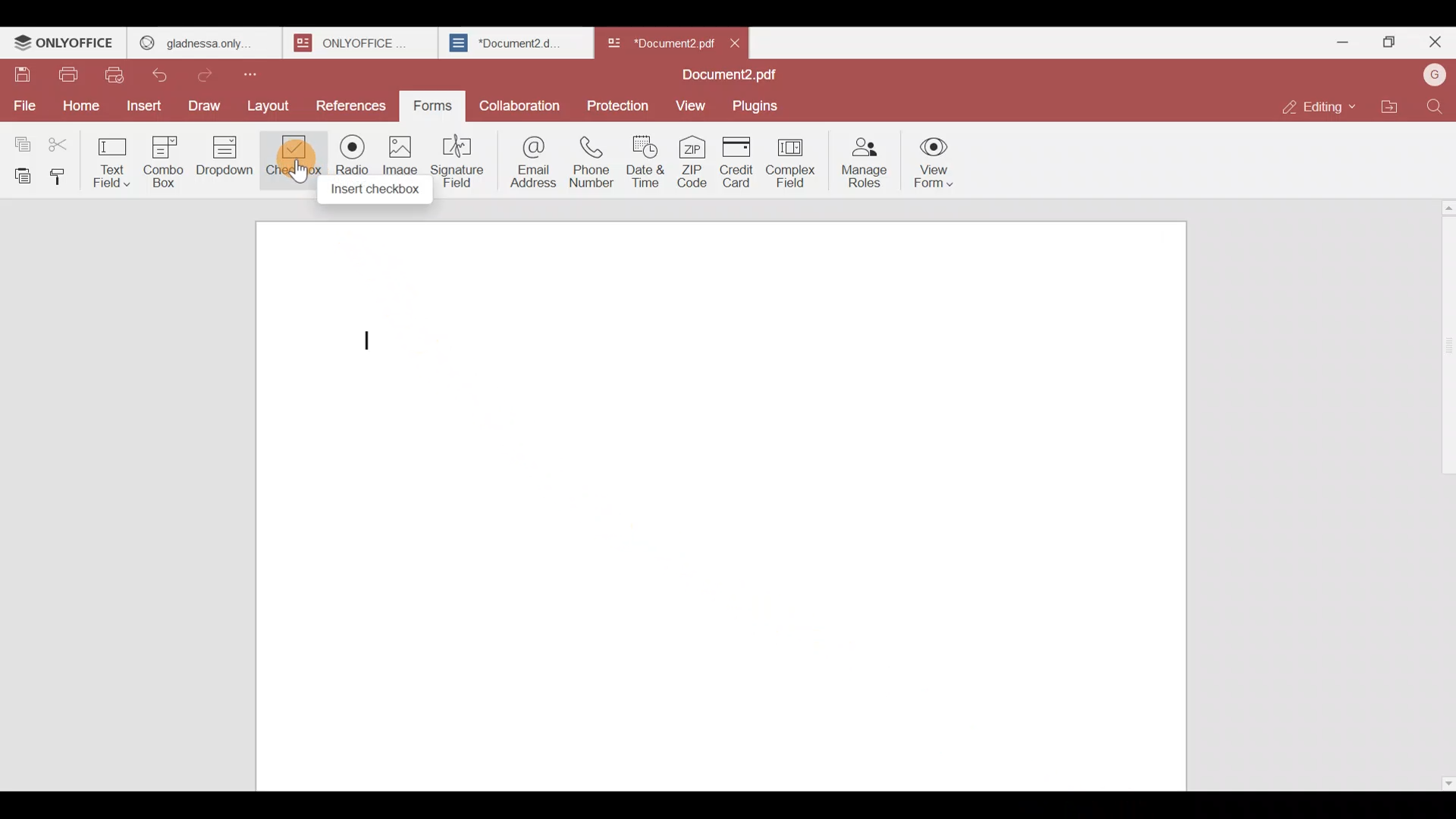  What do you see at coordinates (24, 104) in the screenshot?
I see `File` at bounding box center [24, 104].